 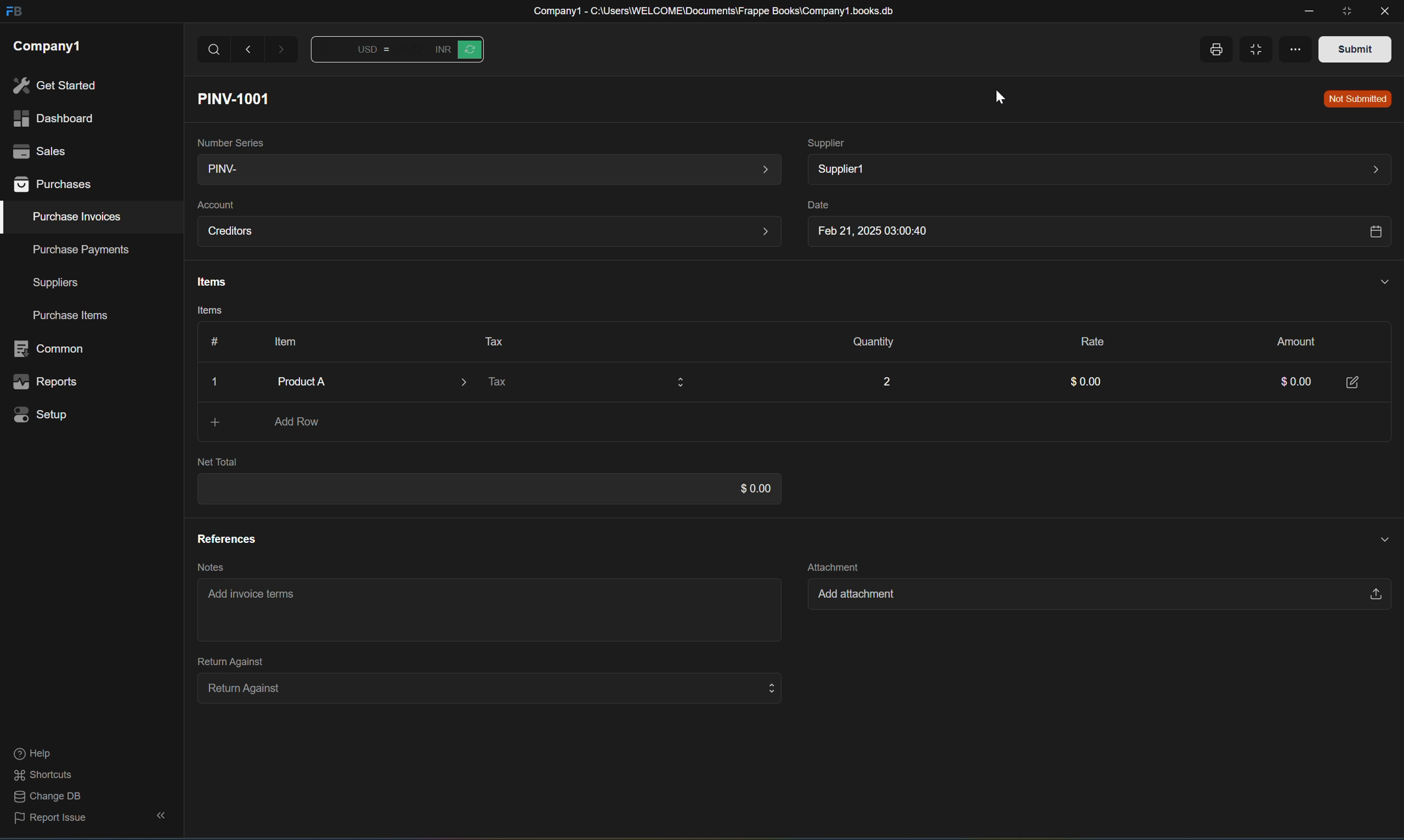 What do you see at coordinates (833, 565) in the screenshot?
I see `Attachment` at bounding box center [833, 565].